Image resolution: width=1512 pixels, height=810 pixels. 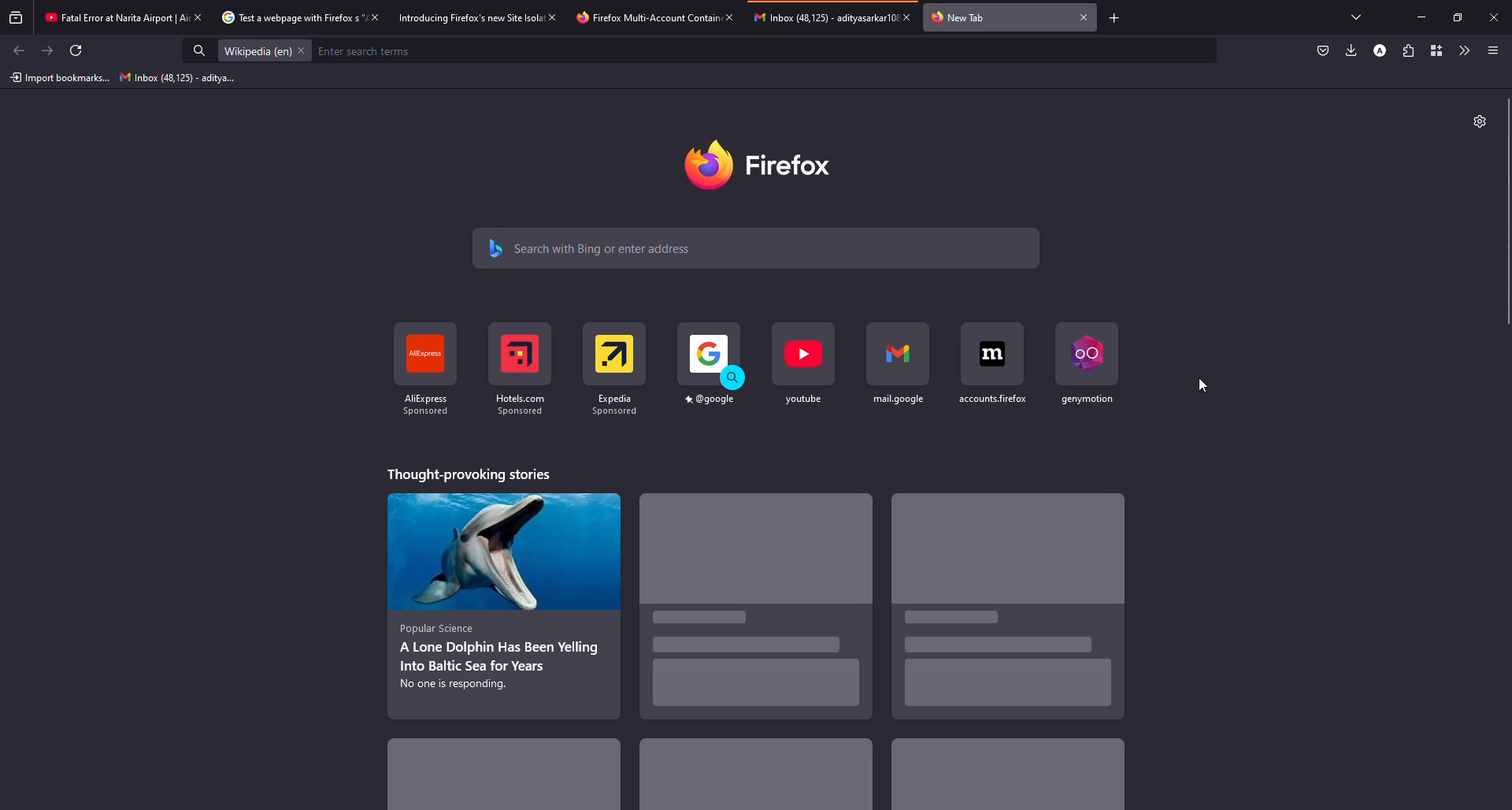 I want to click on inbox, so click(x=179, y=77).